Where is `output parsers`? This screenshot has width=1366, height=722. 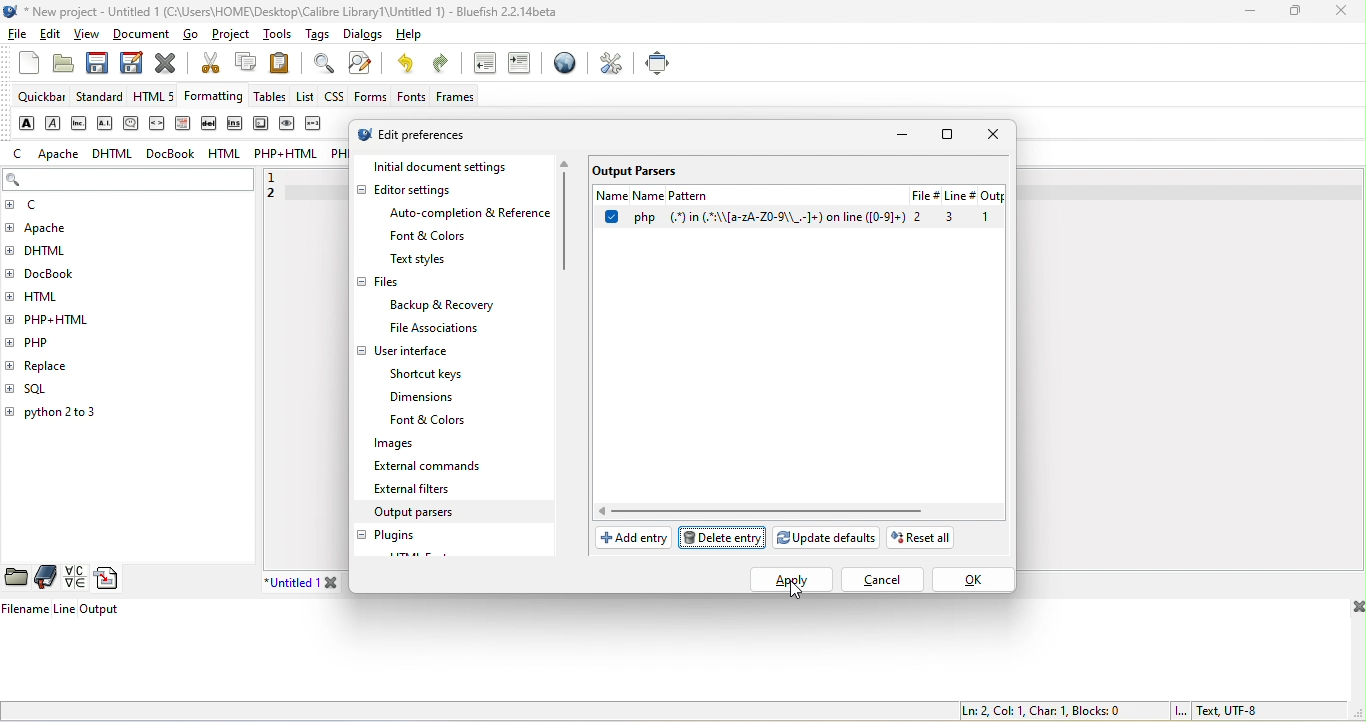 output parsers is located at coordinates (432, 514).